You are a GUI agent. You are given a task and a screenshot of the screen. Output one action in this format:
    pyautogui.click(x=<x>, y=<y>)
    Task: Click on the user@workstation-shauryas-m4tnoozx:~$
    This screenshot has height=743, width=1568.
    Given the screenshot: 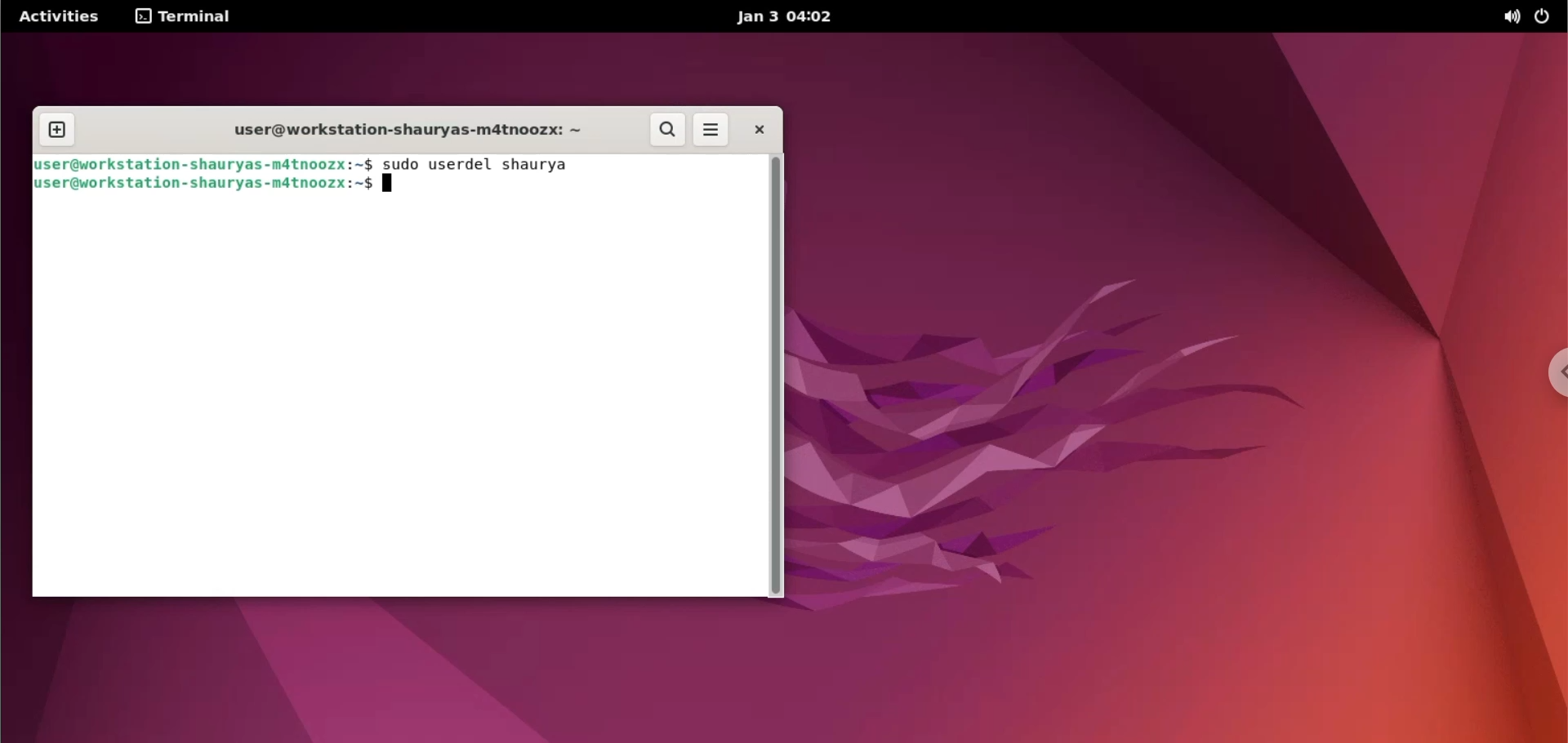 What is the action you would take?
    pyautogui.click(x=206, y=183)
    